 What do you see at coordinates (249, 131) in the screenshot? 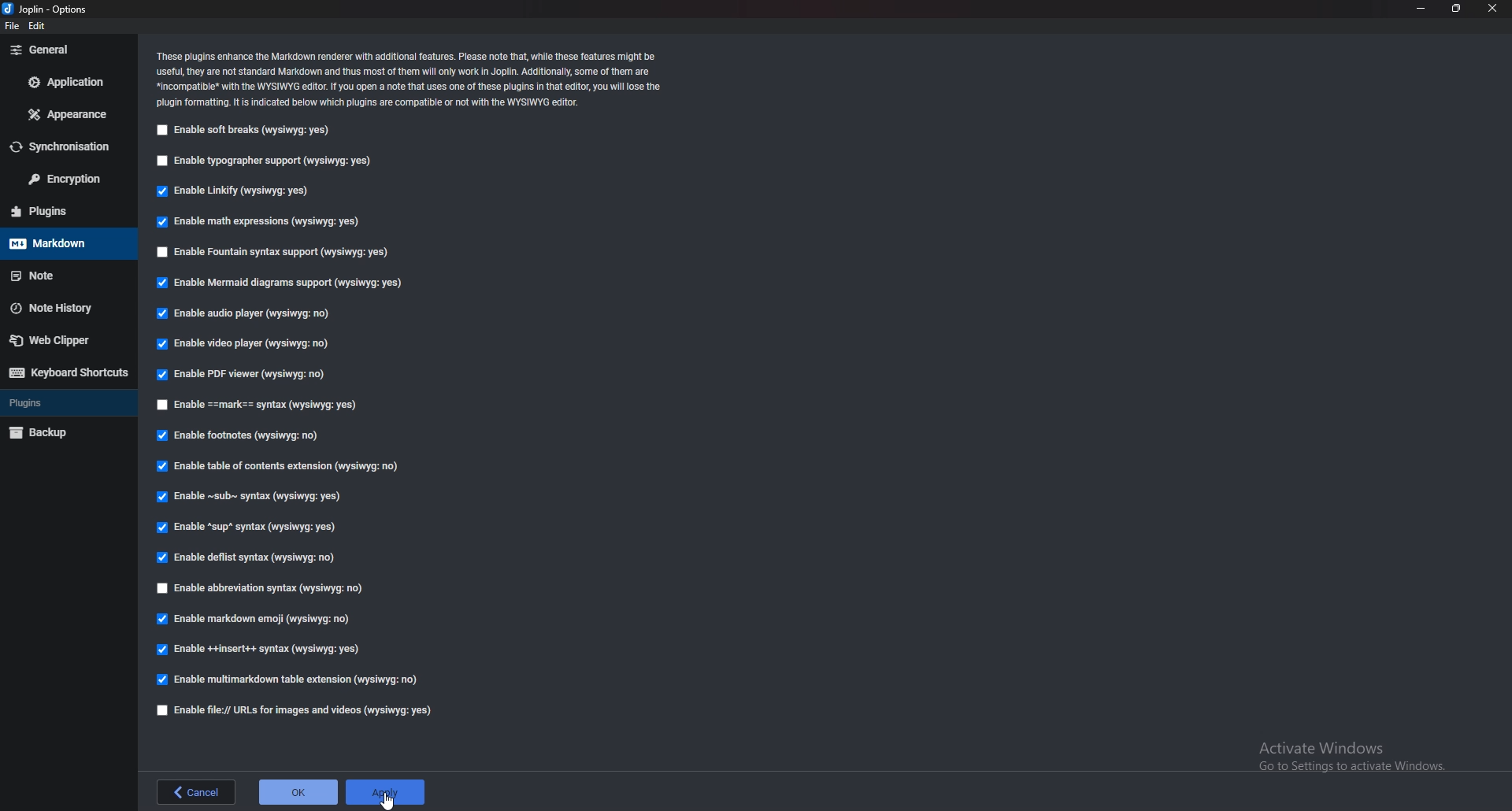
I see `enable soft breaks` at bounding box center [249, 131].